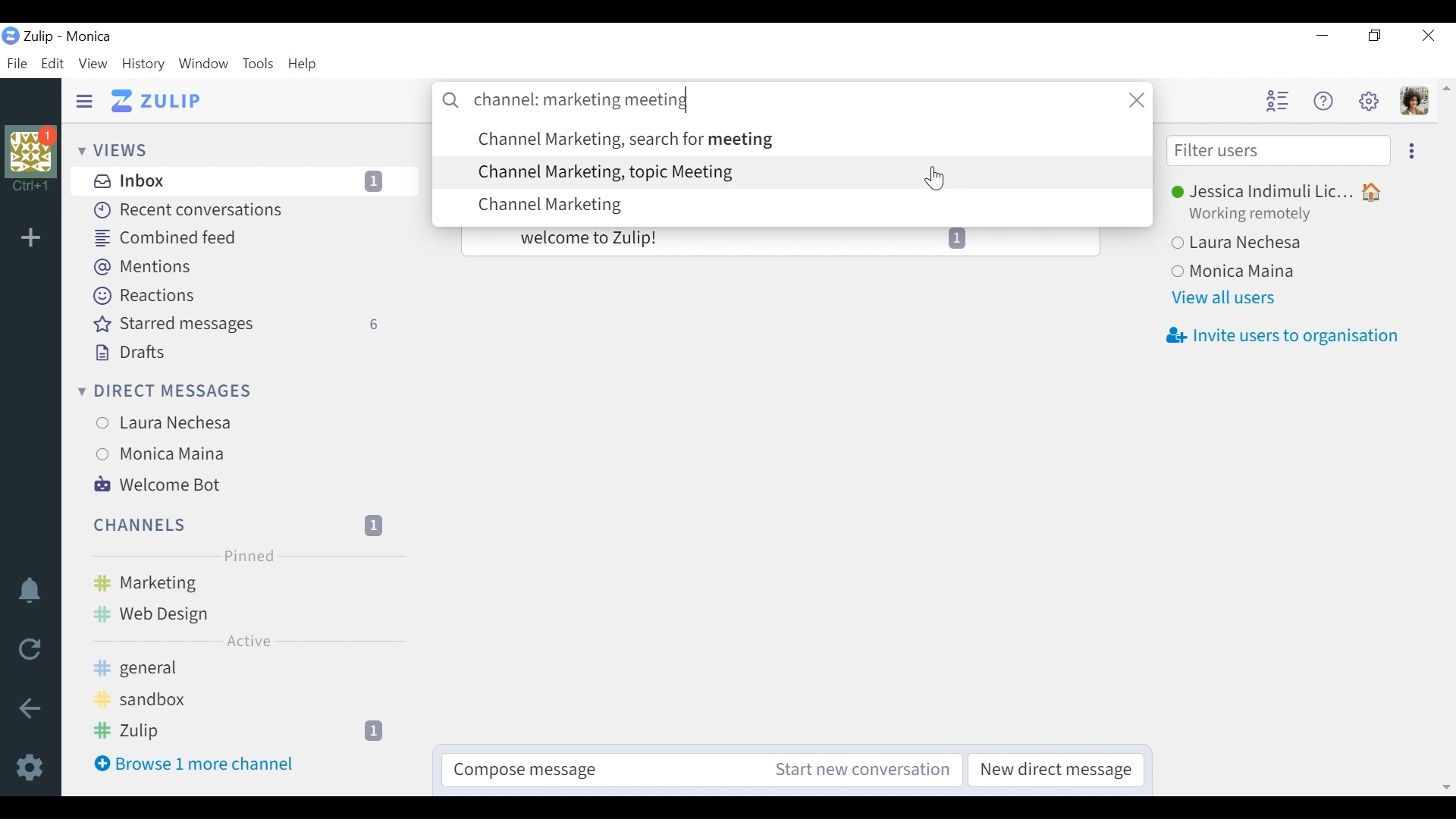 This screenshot has height=819, width=1456. Describe the element at coordinates (1446, 441) in the screenshot. I see `vertical scrollbar` at that location.